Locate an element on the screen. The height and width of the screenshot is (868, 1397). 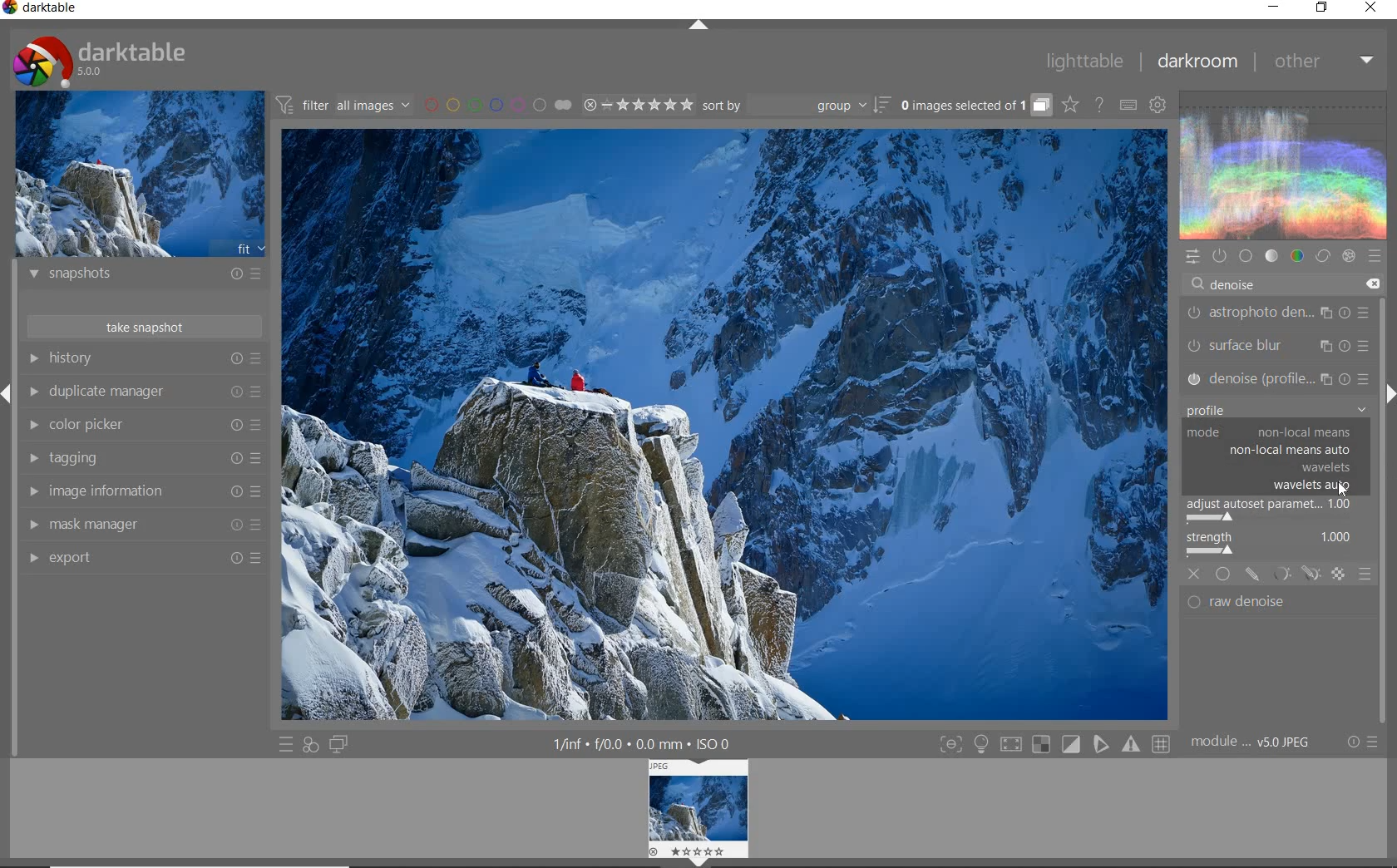
show only active modules is located at coordinates (1218, 256).